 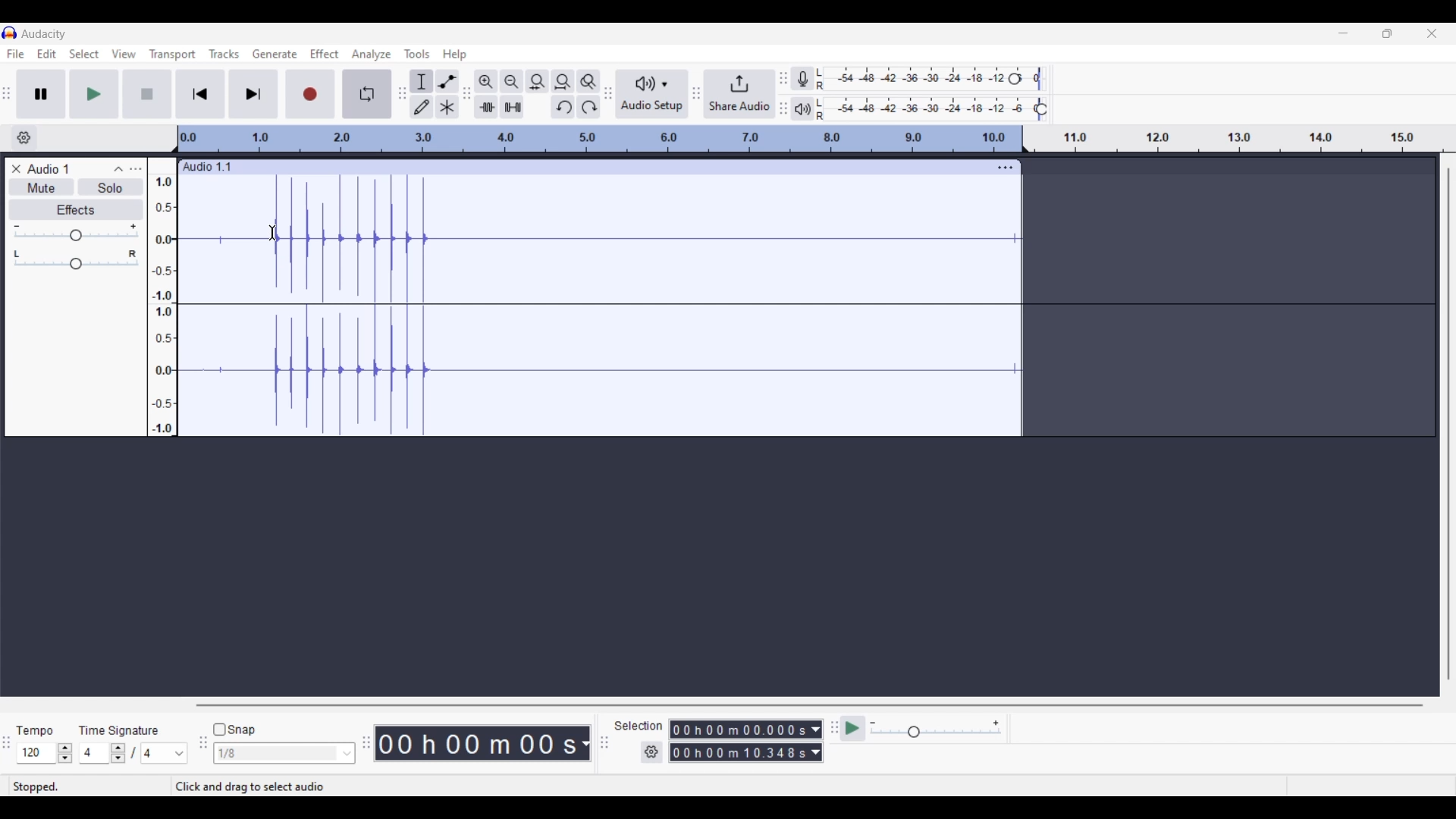 What do you see at coordinates (16, 226) in the screenshot?
I see `Minimum gain` at bounding box center [16, 226].